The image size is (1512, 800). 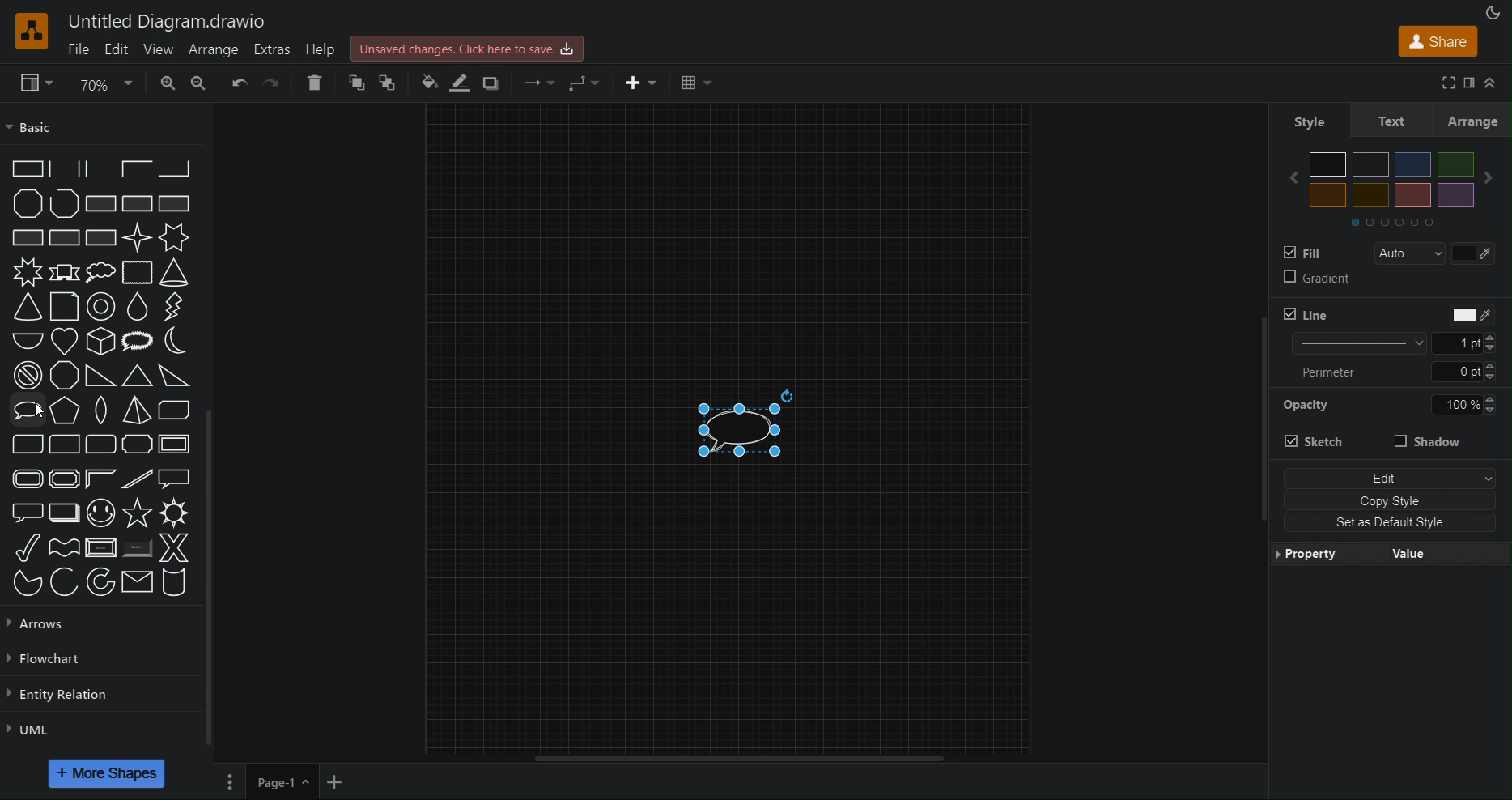 I want to click on Rectangle with Reverse Diagonal Fill, so click(x=138, y=203).